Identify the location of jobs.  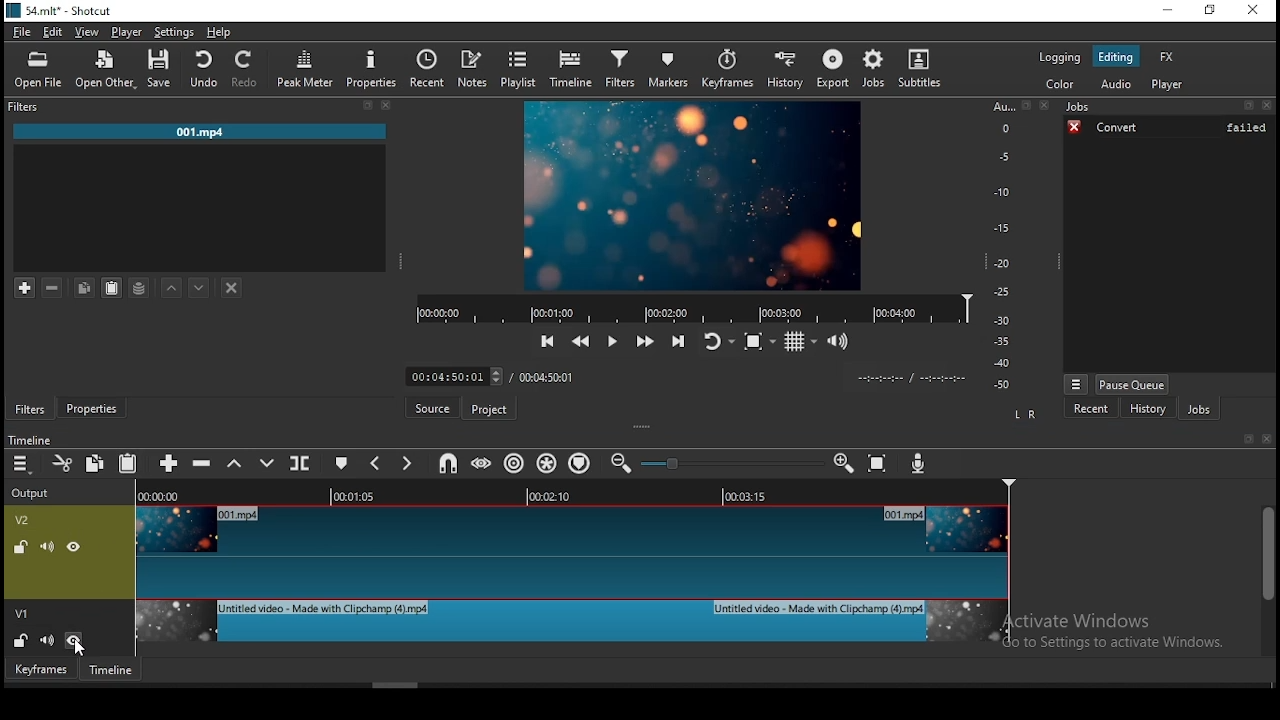
(1198, 409).